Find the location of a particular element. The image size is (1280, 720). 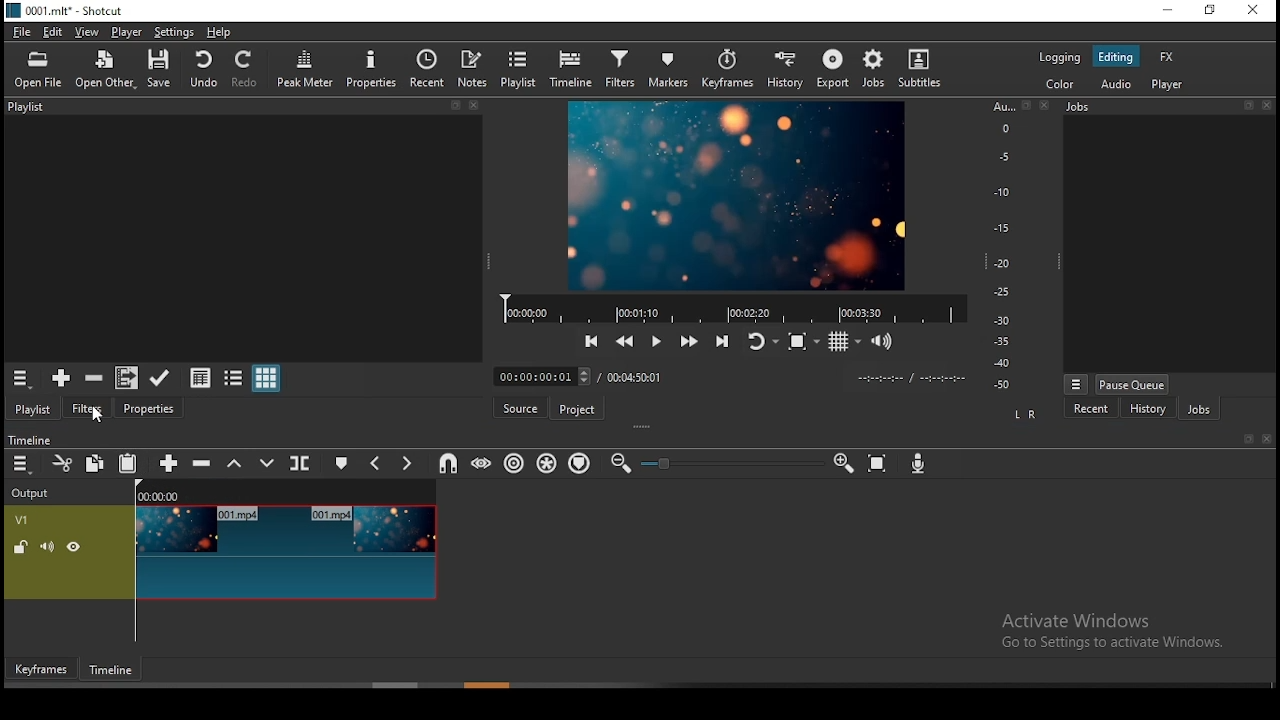

open file is located at coordinates (40, 70).